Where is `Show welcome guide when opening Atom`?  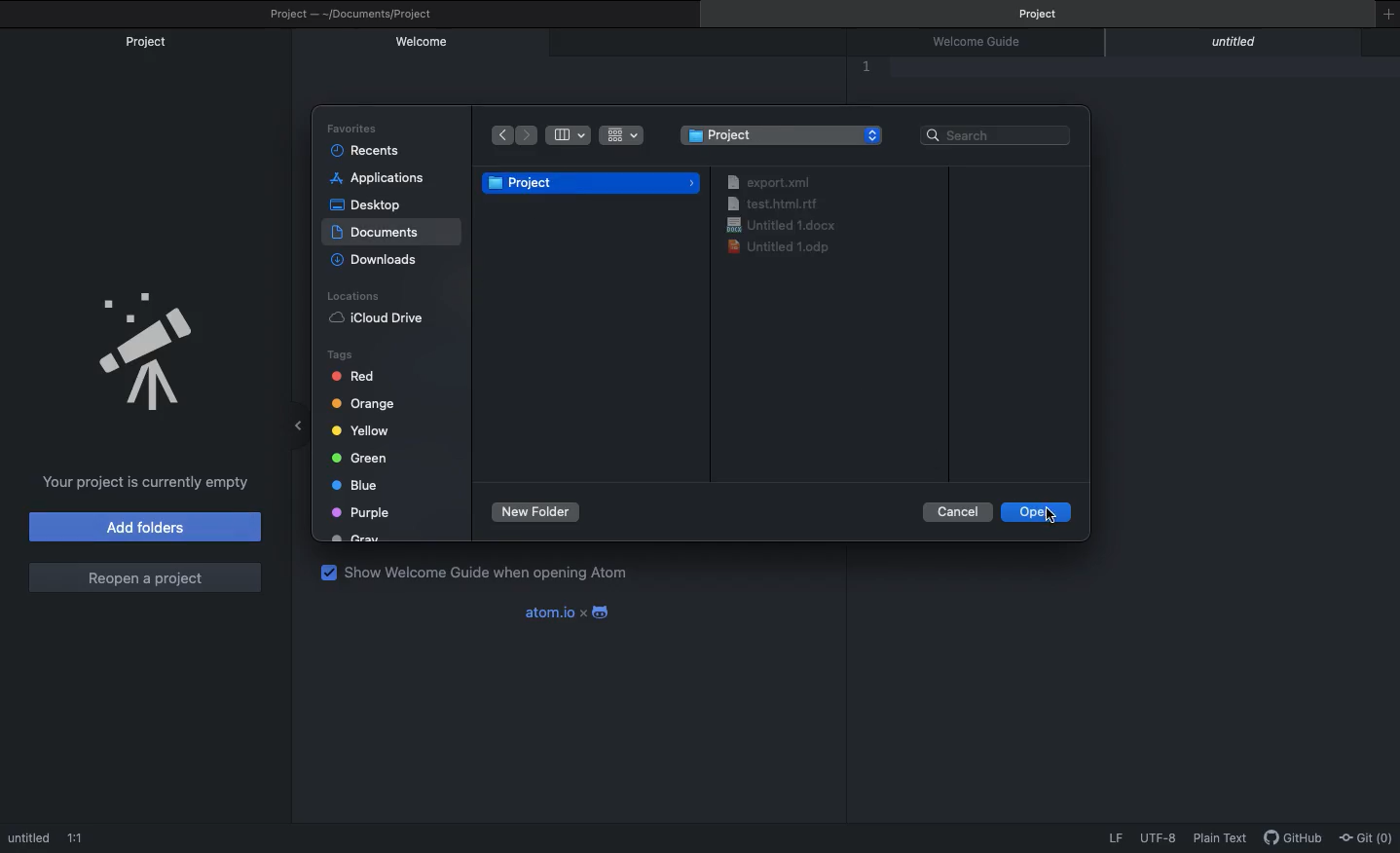
Show welcome guide when opening Atom is located at coordinates (481, 573).